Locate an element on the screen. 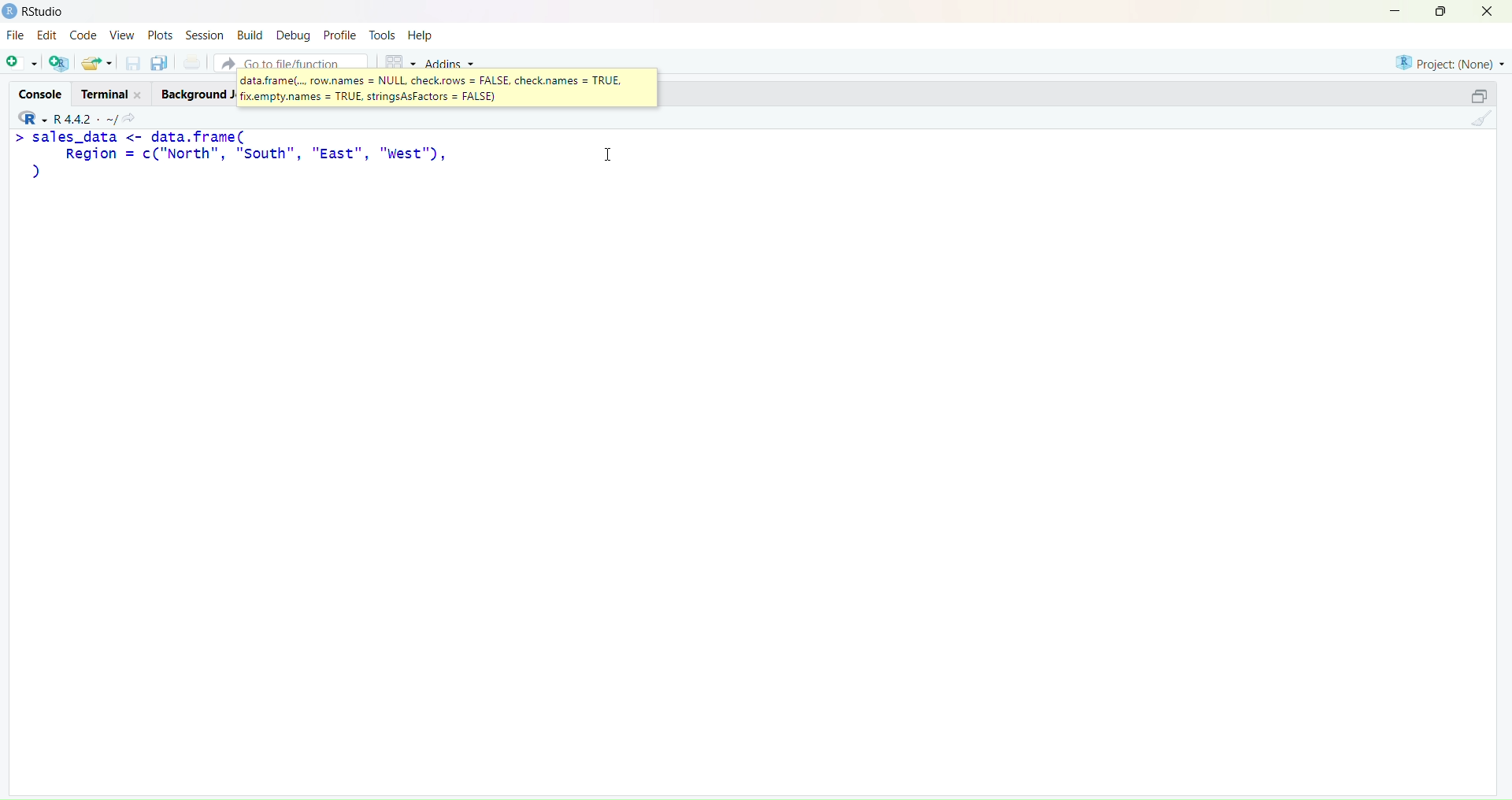  add multiple scripts is located at coordinates (60, 65).